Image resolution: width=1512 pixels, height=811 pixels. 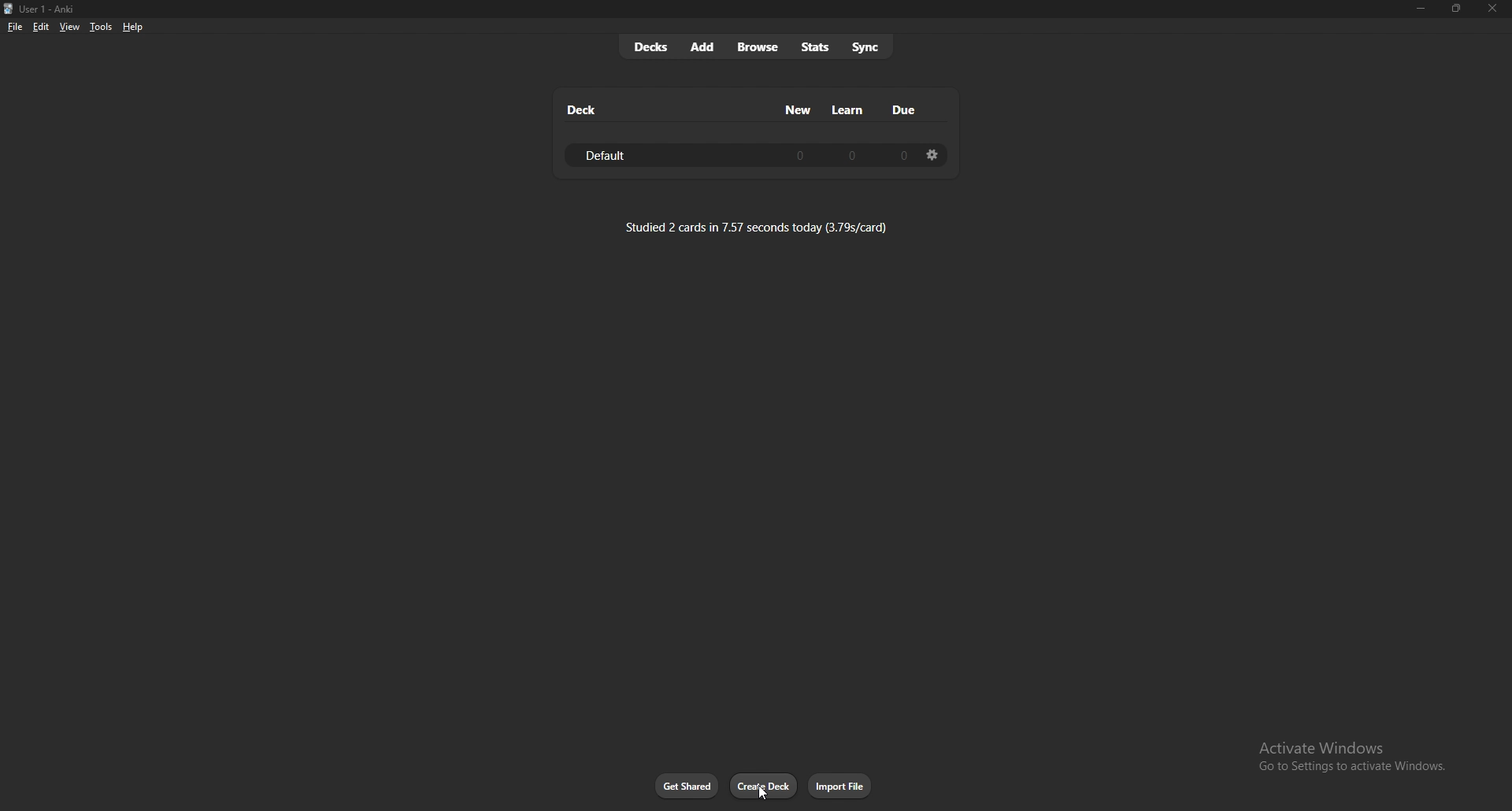 I want to click on browse, so click(x=760, y=48).